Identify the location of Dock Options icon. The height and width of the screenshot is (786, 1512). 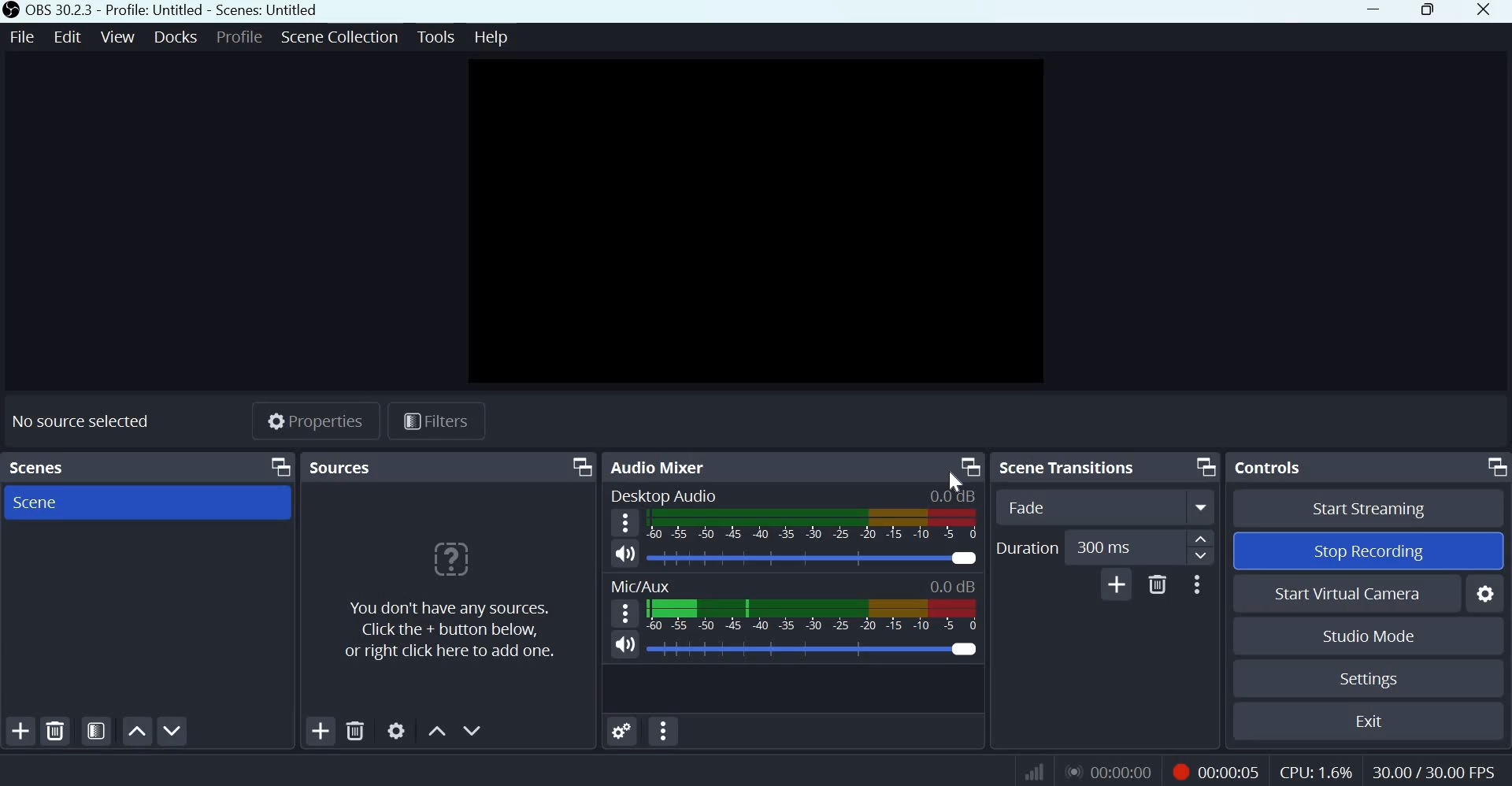
(1495, 466).